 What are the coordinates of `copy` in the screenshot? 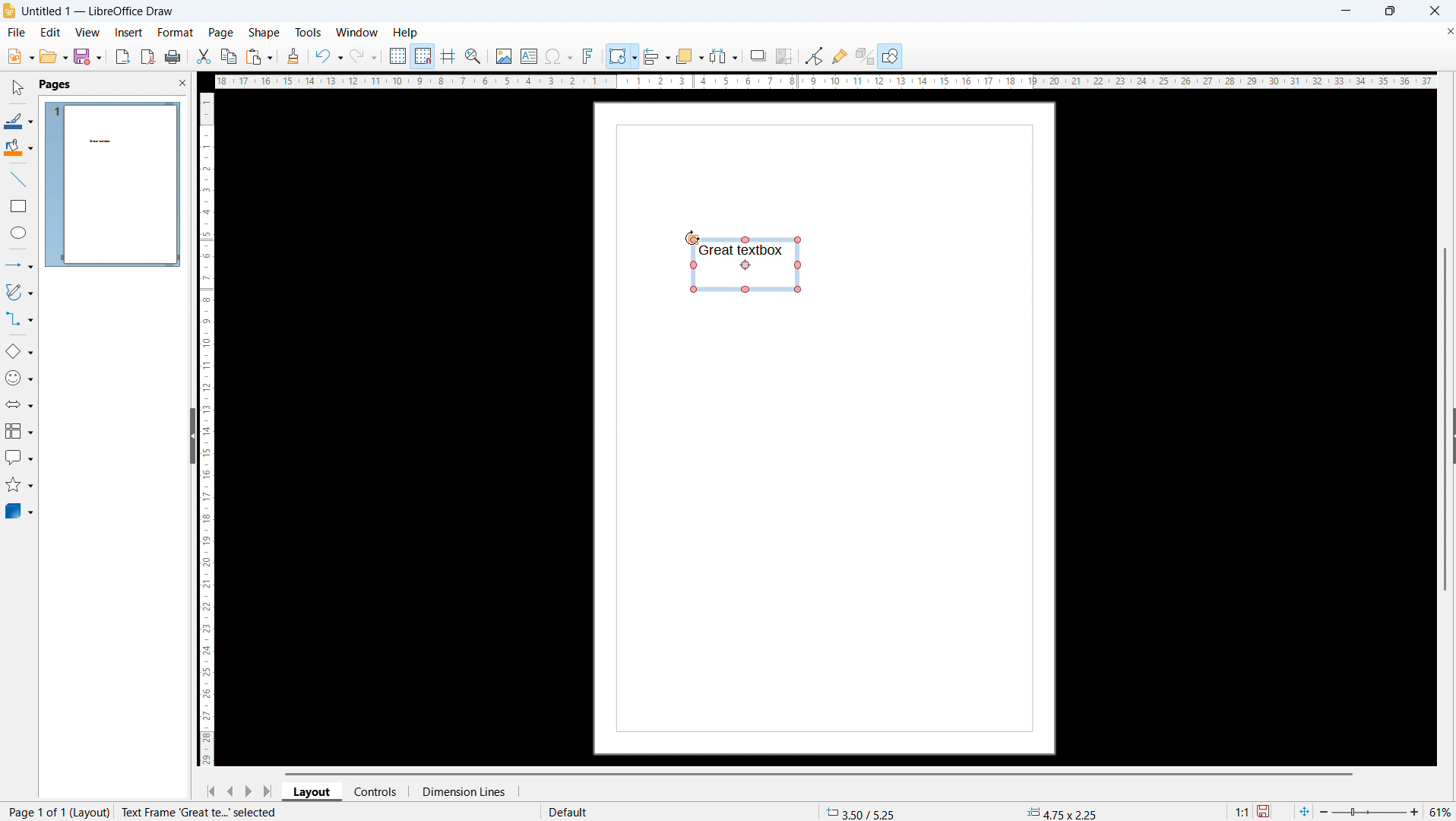 It's located at (228, 55).